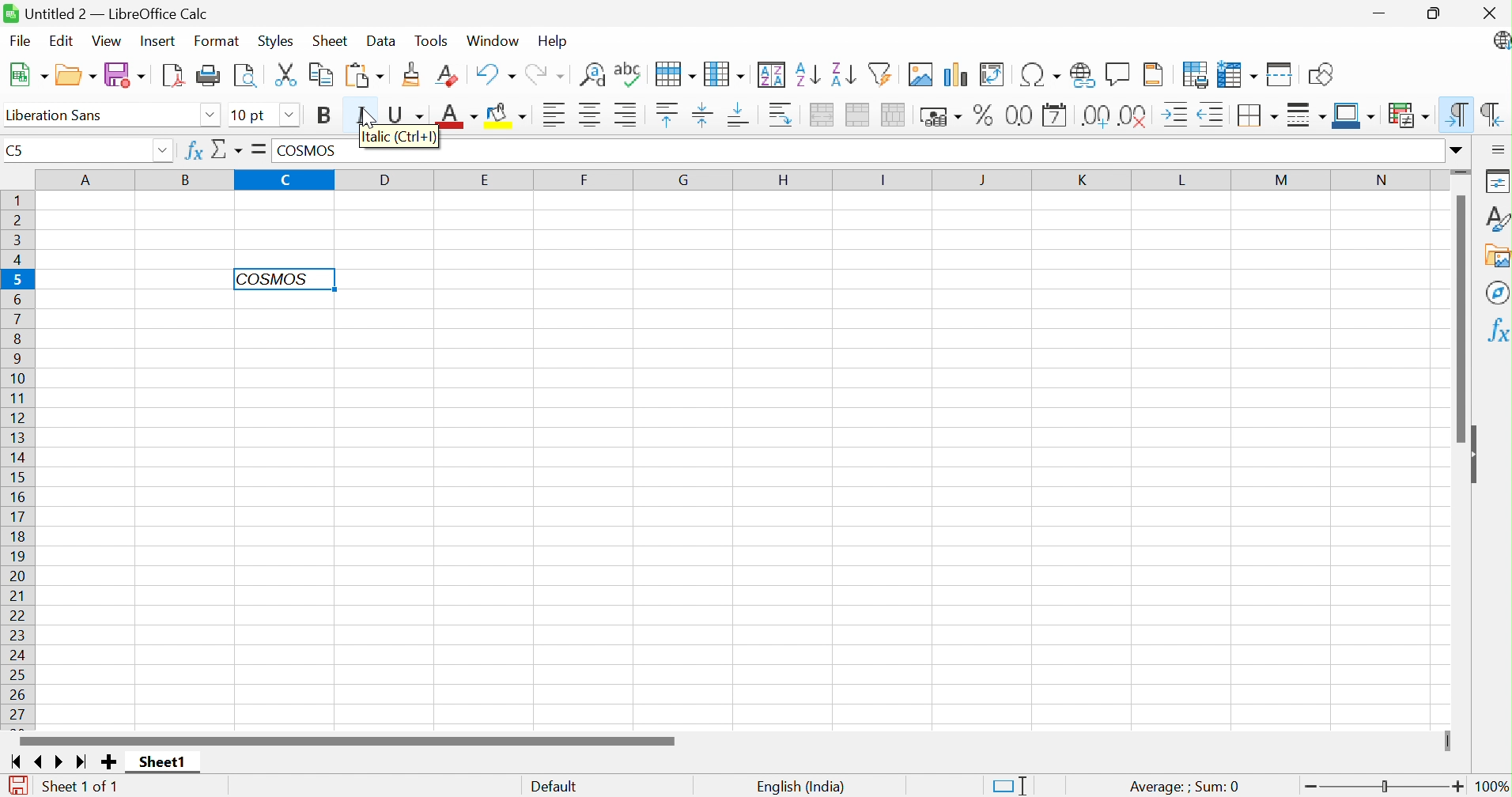 Image resolution: width=1512 pixels, height=797 pixels. Describe the element at coordinates (891, 115) in the screenshot. I see `Unmerge cells` at that location.